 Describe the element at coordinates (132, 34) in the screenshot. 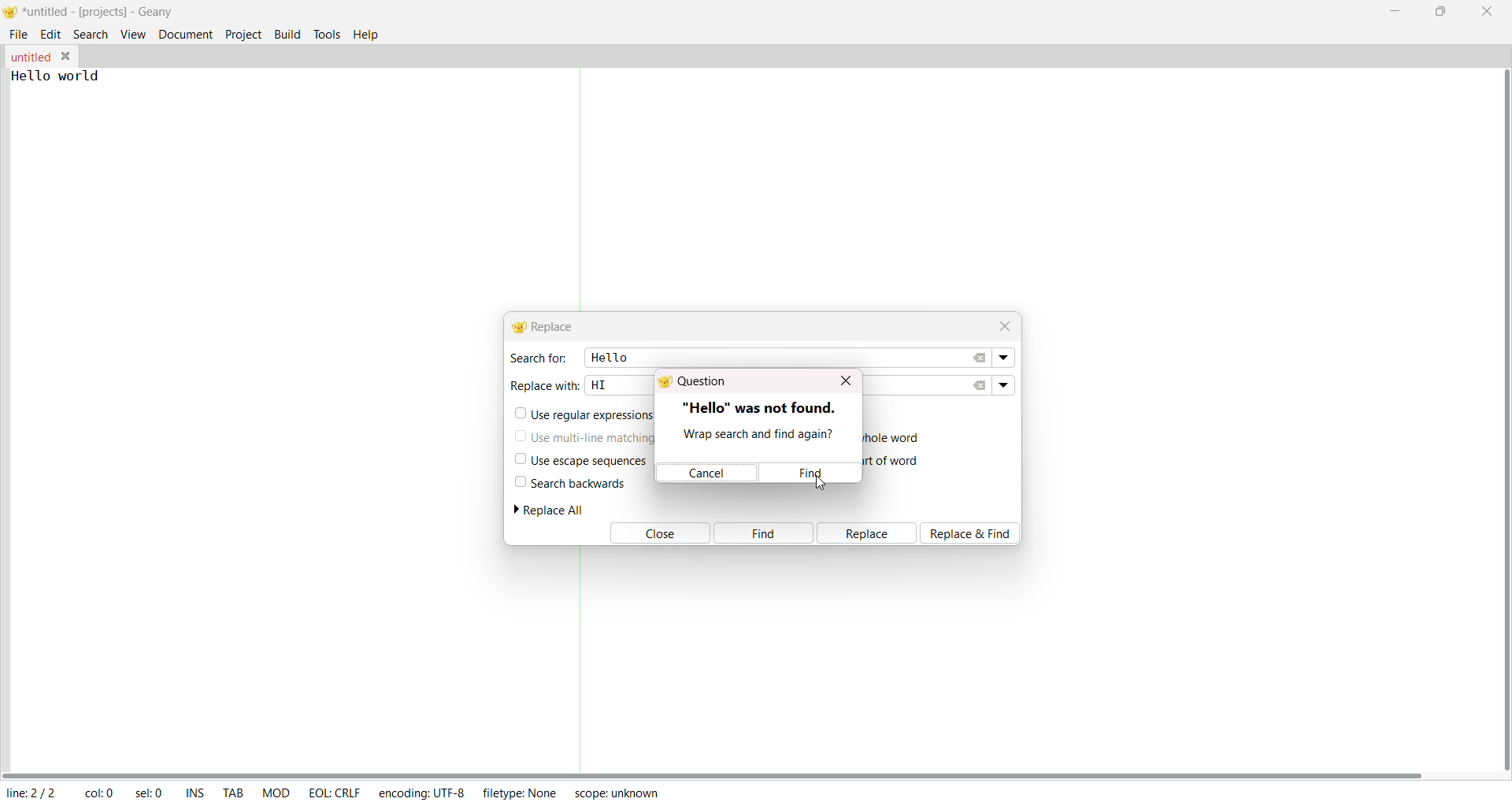

I see `view` at that location.